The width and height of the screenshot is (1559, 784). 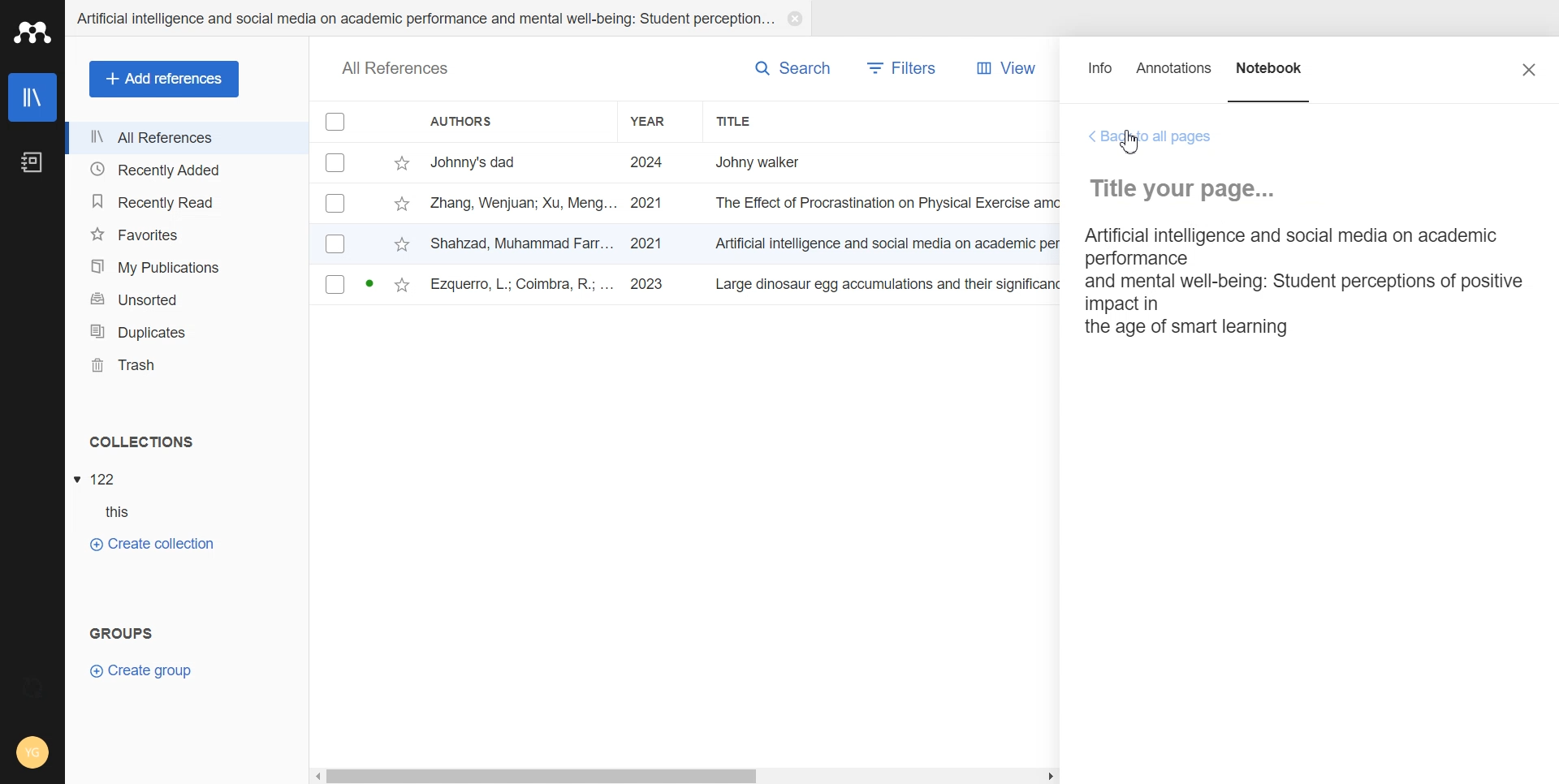 What do you see at coordinates (186, 332) in the screenshot?
I see `Duplicates` at bounding box center [186, 332].